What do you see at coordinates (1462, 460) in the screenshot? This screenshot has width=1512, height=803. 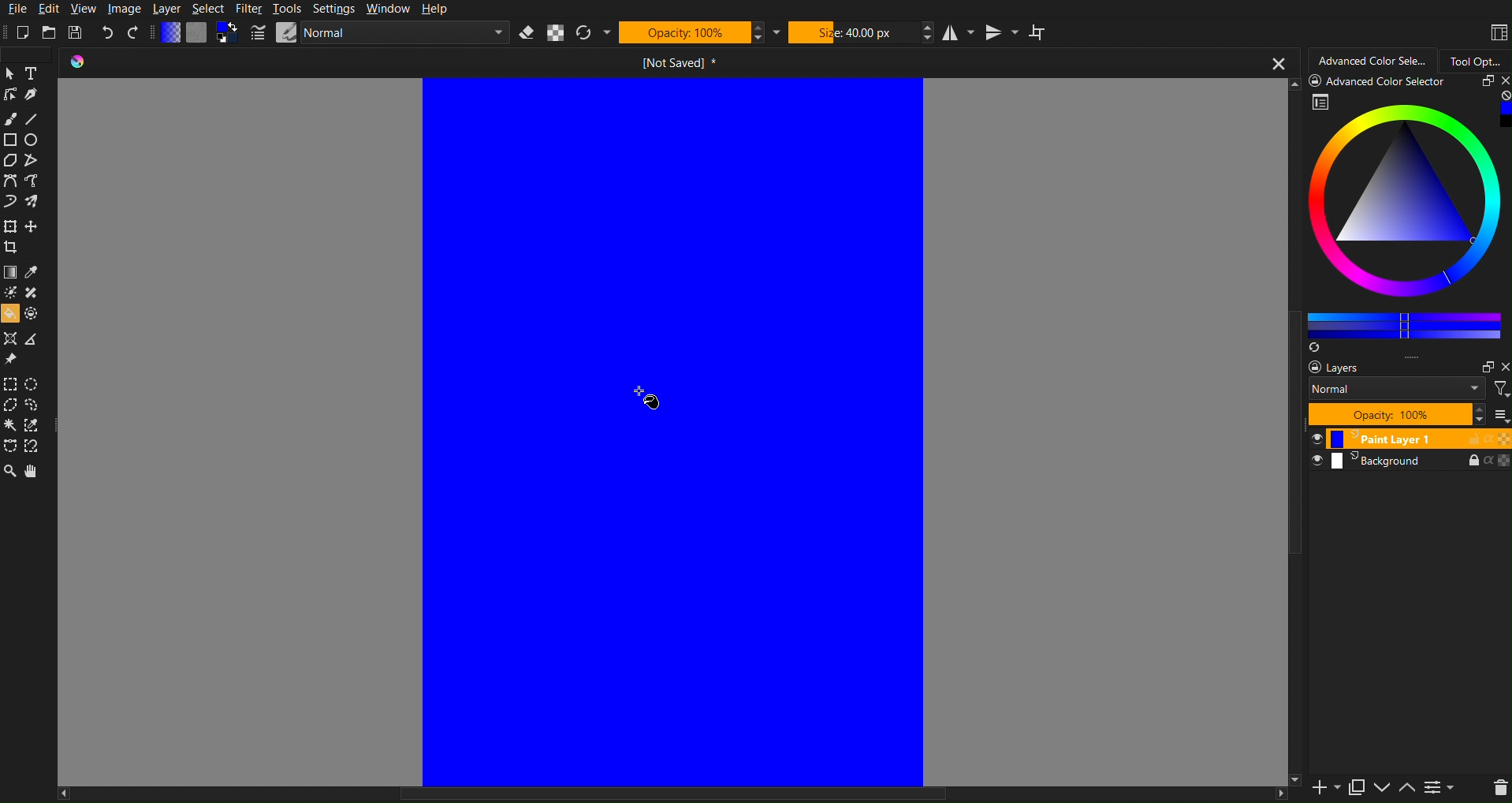 I see `lock` at bounding box center [1462, 460].